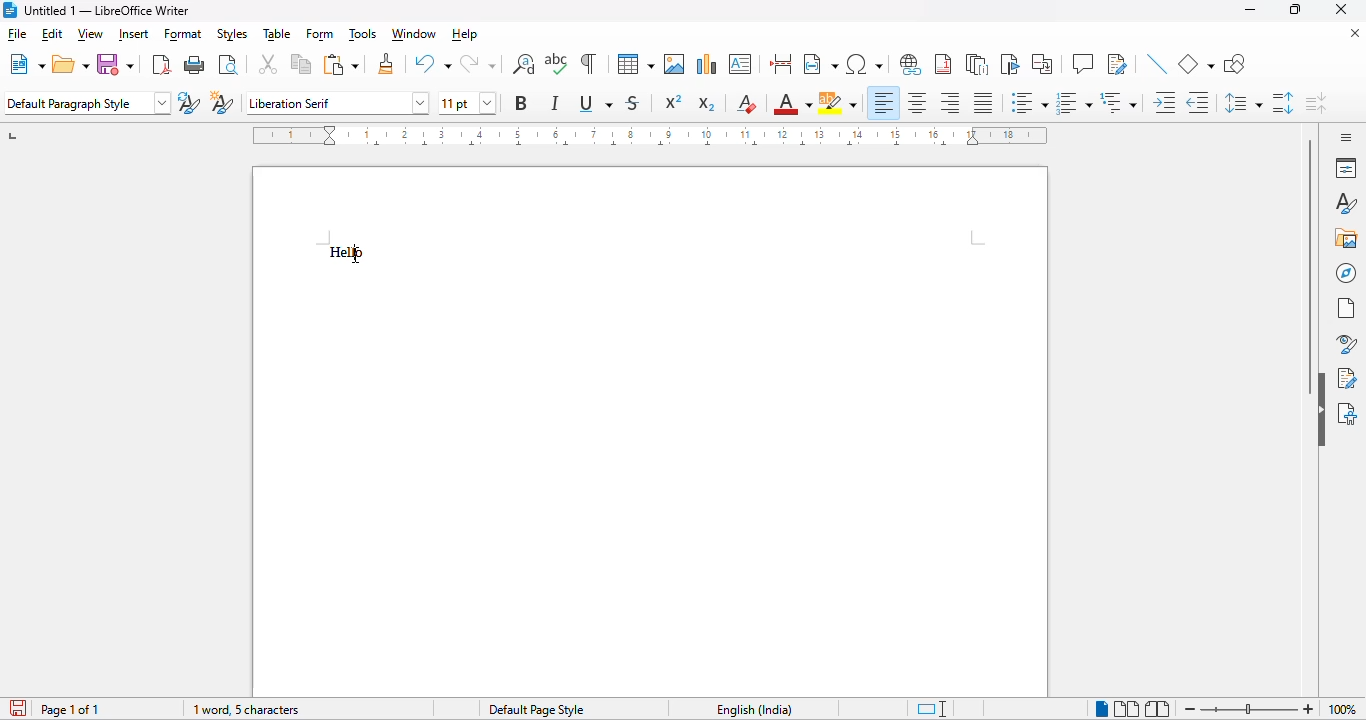 This screenshot has height=720, width=1366. I want to click on insert text box, so click(741, 64).